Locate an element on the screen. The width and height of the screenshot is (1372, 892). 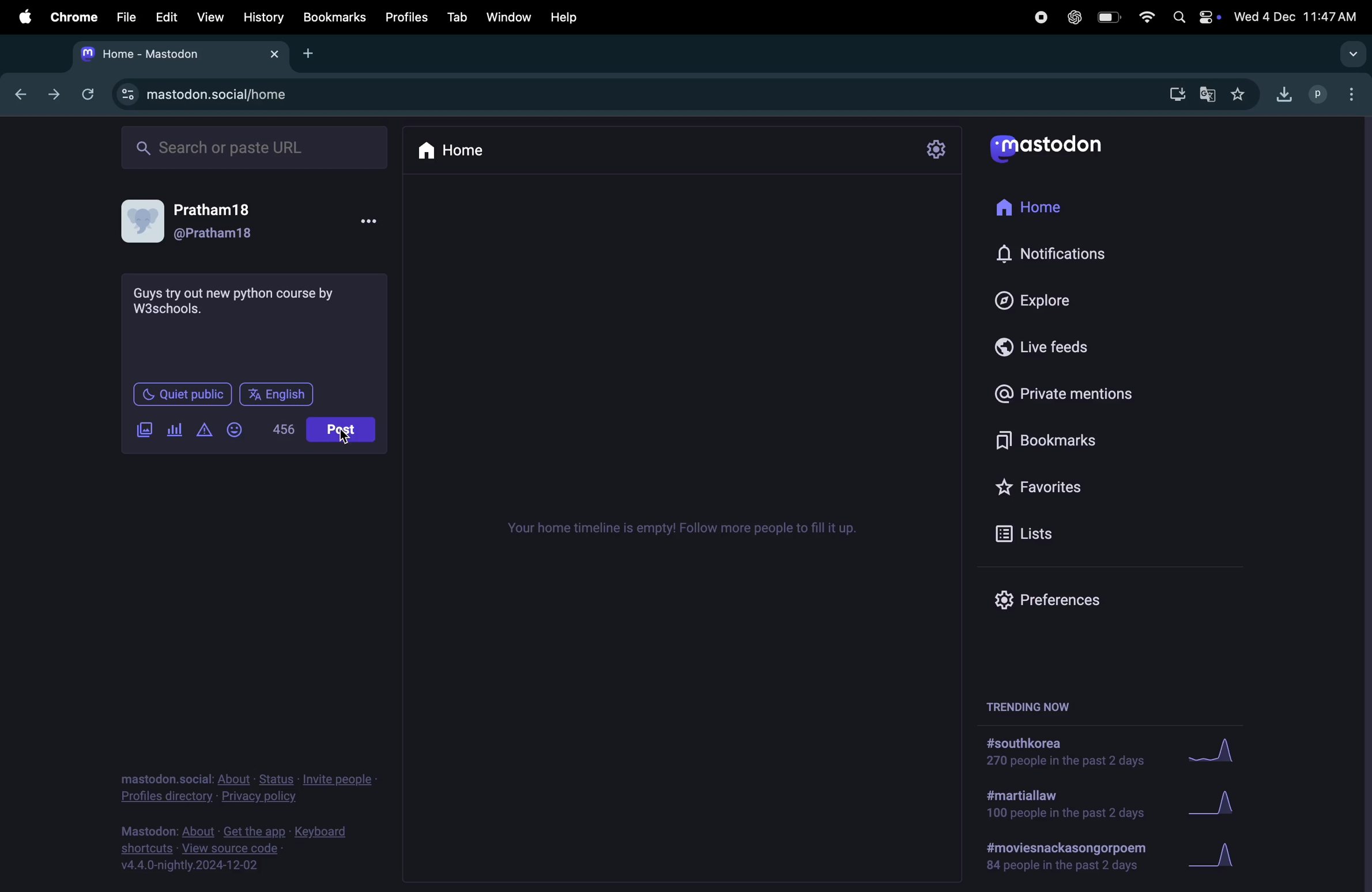
Privacy and policy is located at coordinates (248, 786).